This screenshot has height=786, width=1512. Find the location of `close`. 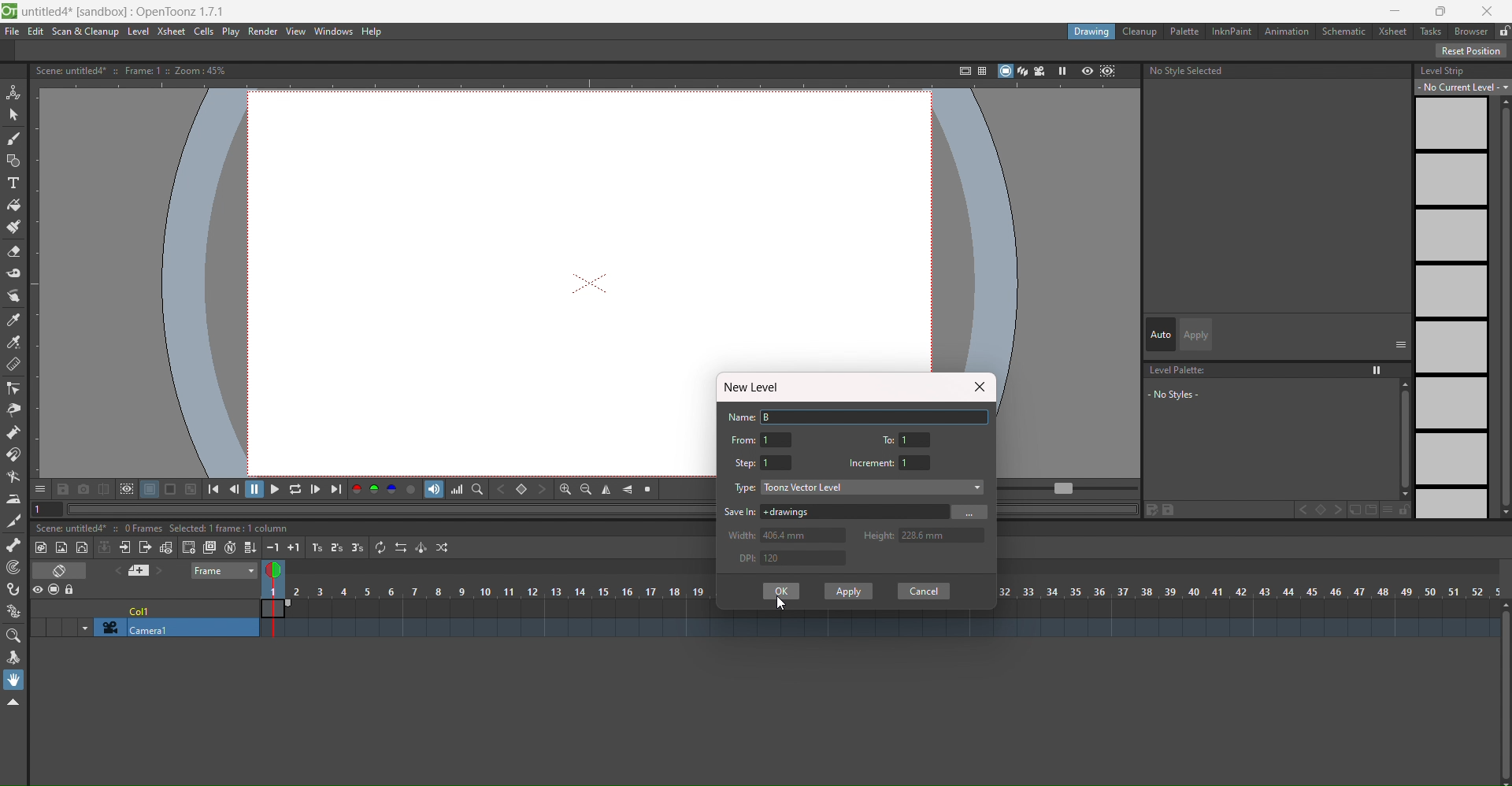

close is located at coordinates (1488, 11).